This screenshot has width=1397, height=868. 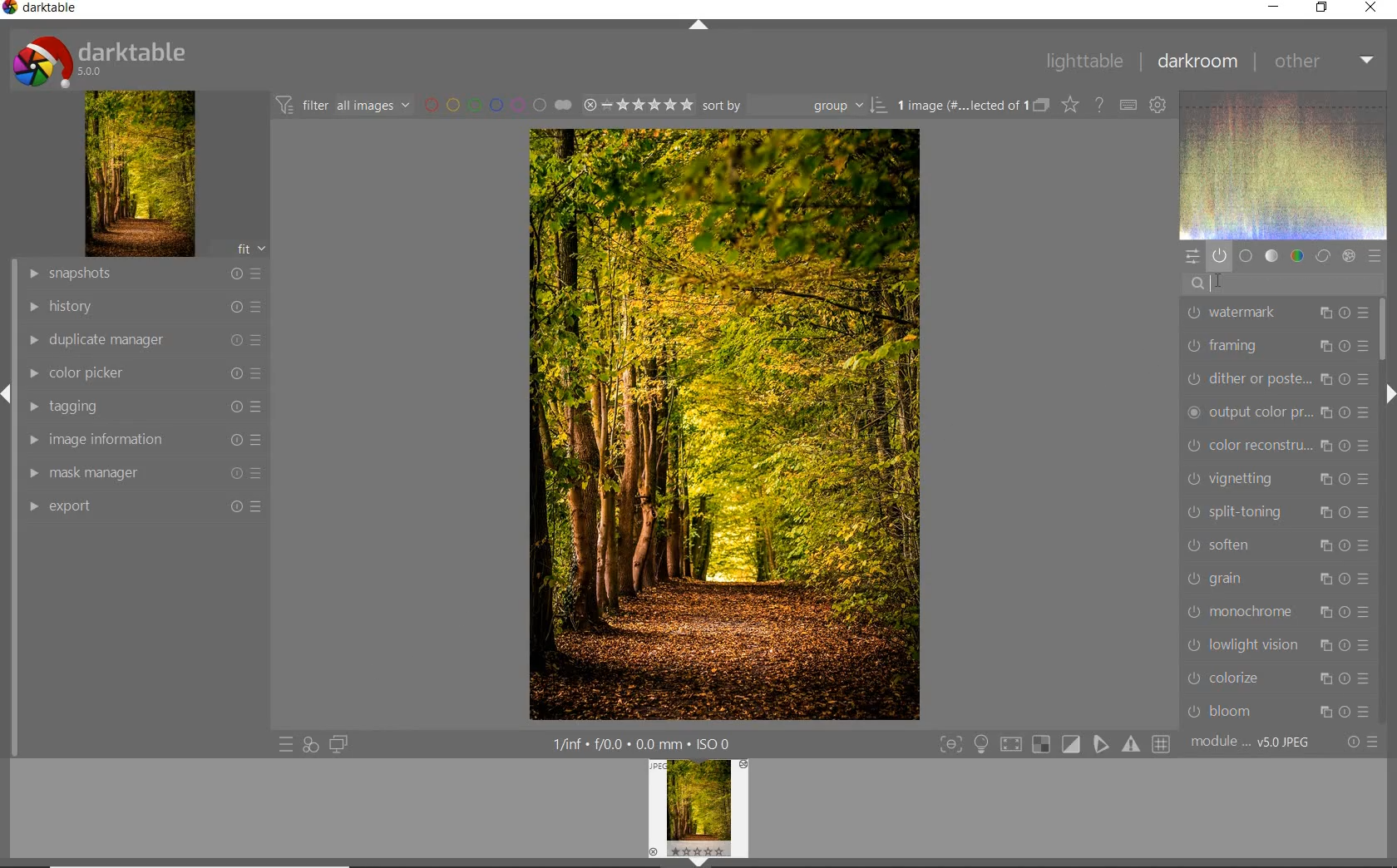 I want to click on color , so click(x=1296, y=256).